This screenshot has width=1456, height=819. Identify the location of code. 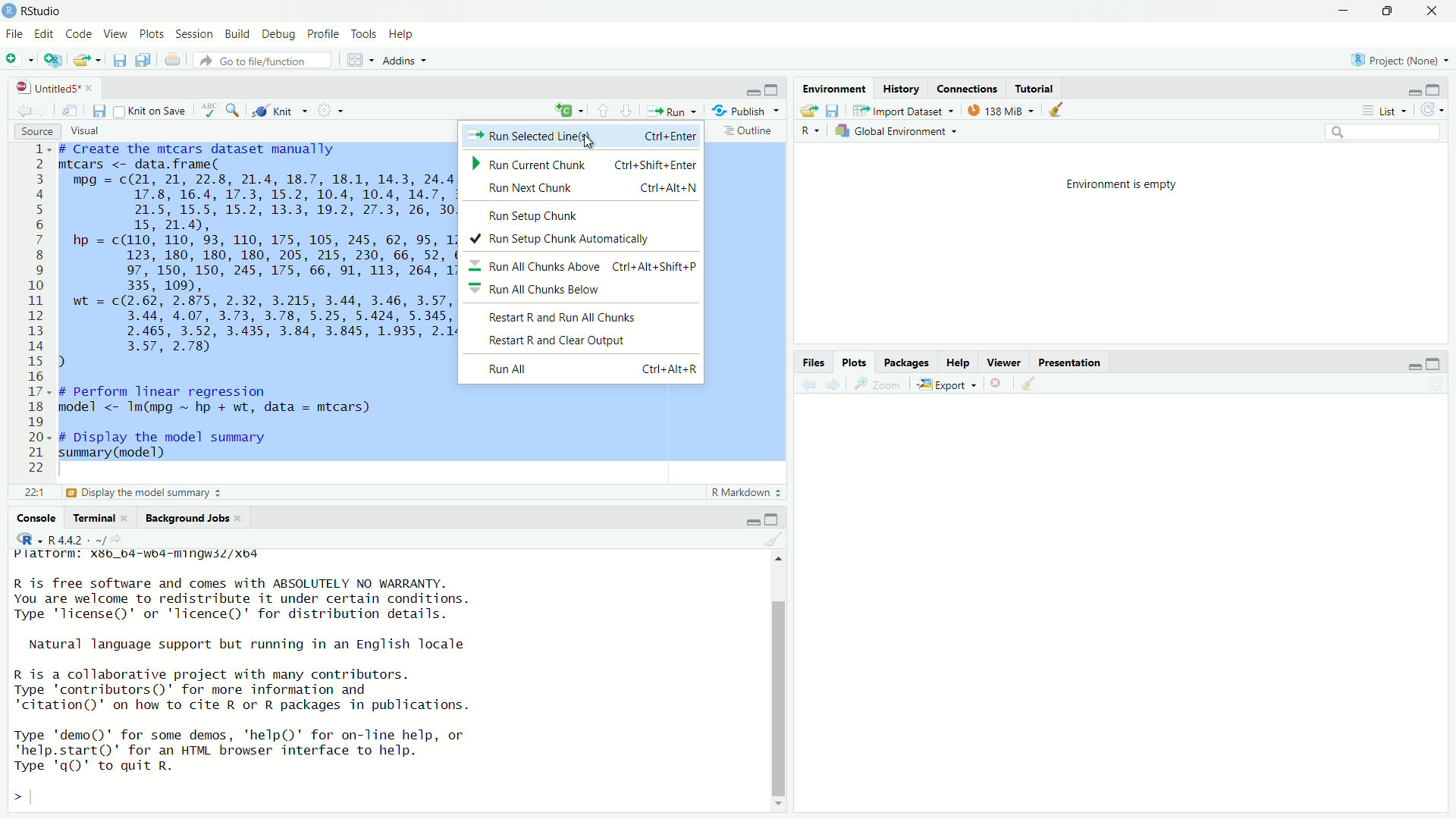
(80, 34).